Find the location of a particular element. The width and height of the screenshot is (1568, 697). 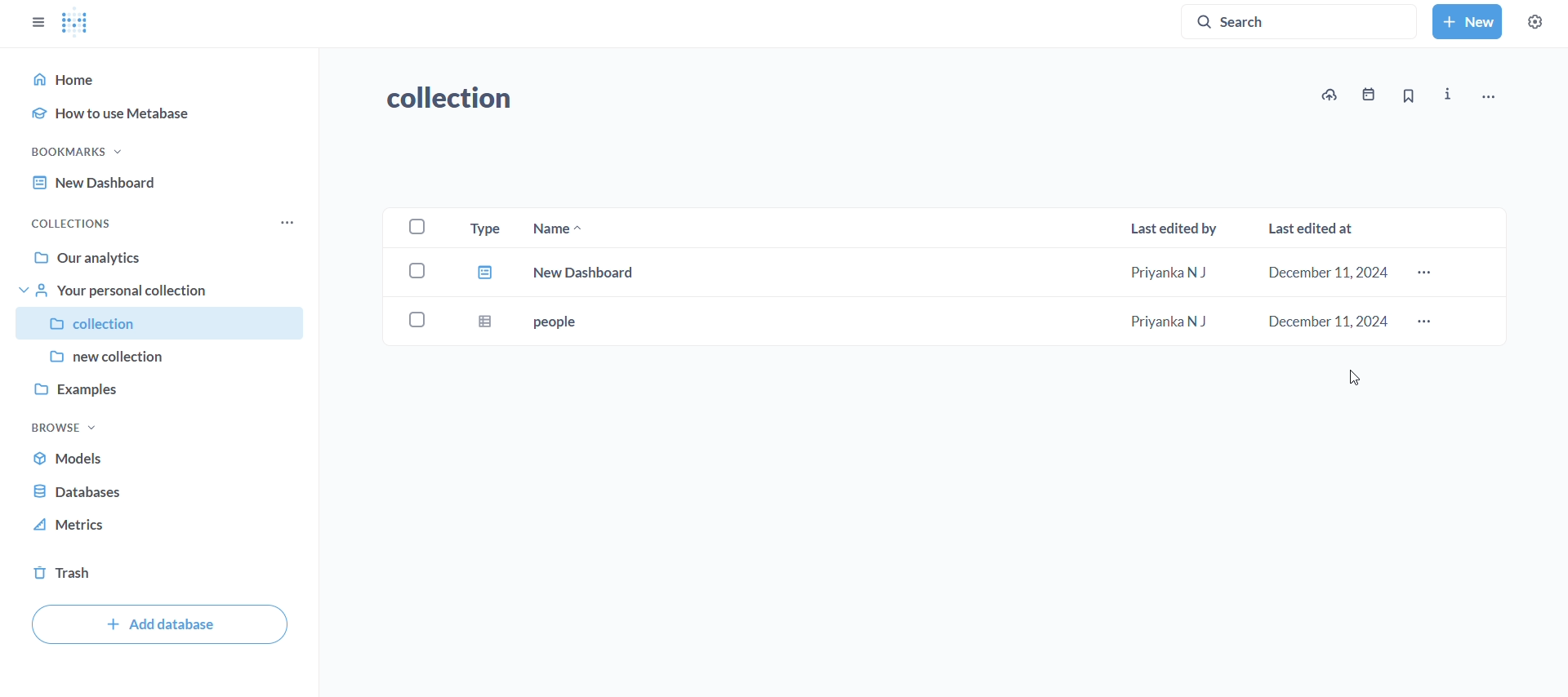

bookmarks is located at coordinates (81, 150).